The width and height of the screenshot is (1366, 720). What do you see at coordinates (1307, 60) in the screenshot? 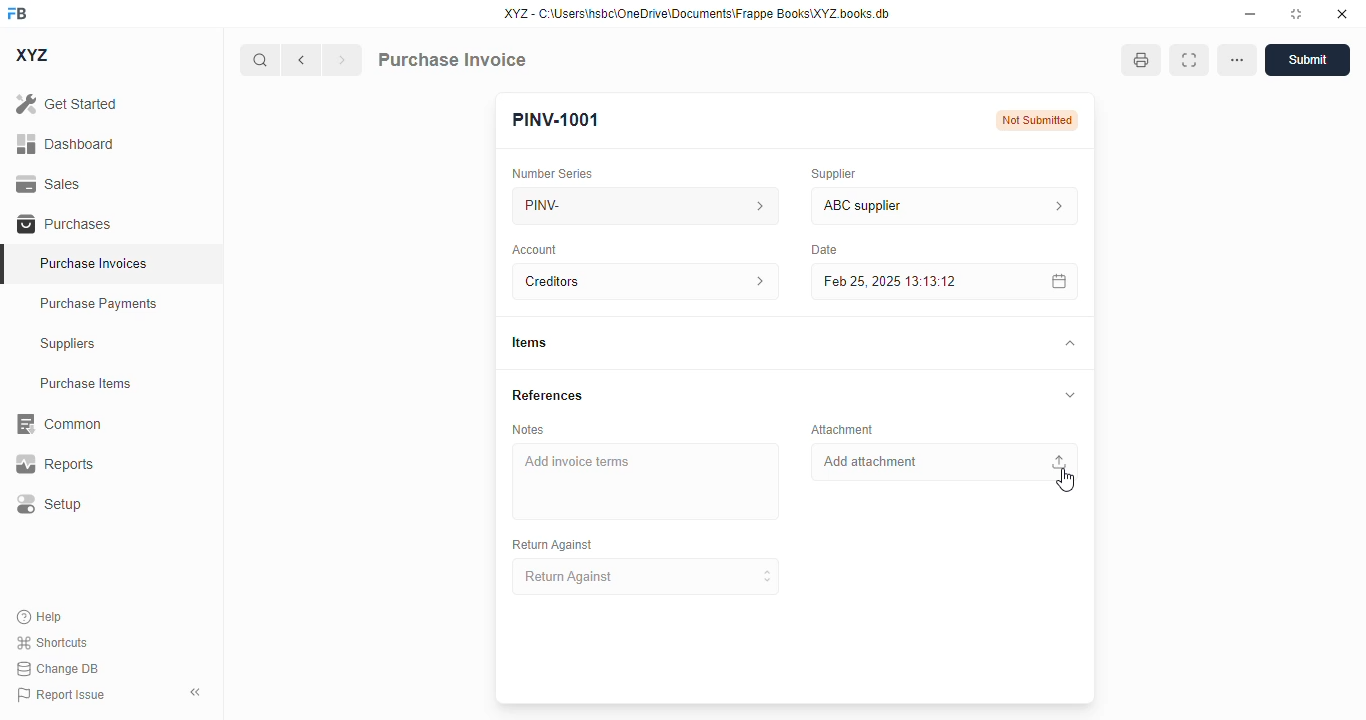
I see `submit` at bounding box center [1307, 60].